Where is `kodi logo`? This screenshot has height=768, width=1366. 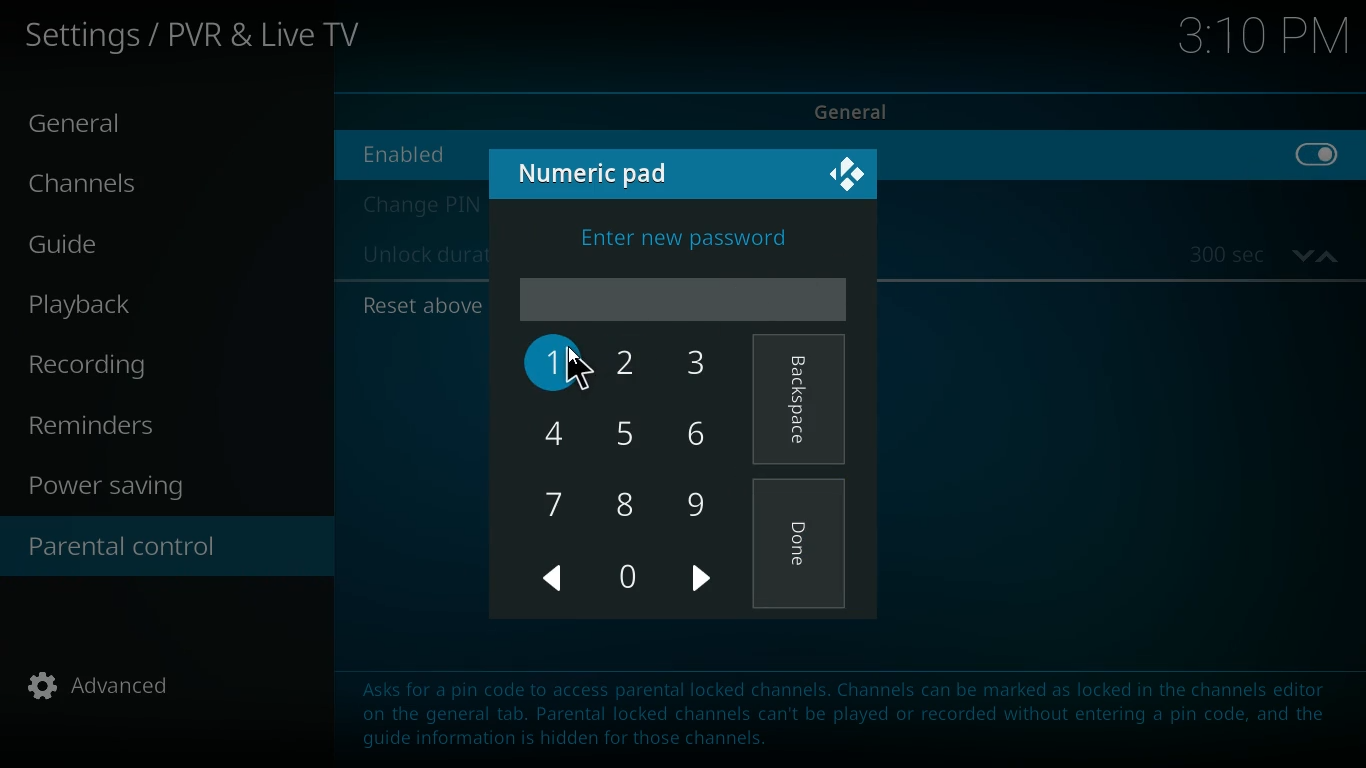
kodi logo is located at coordinates (849, 177).